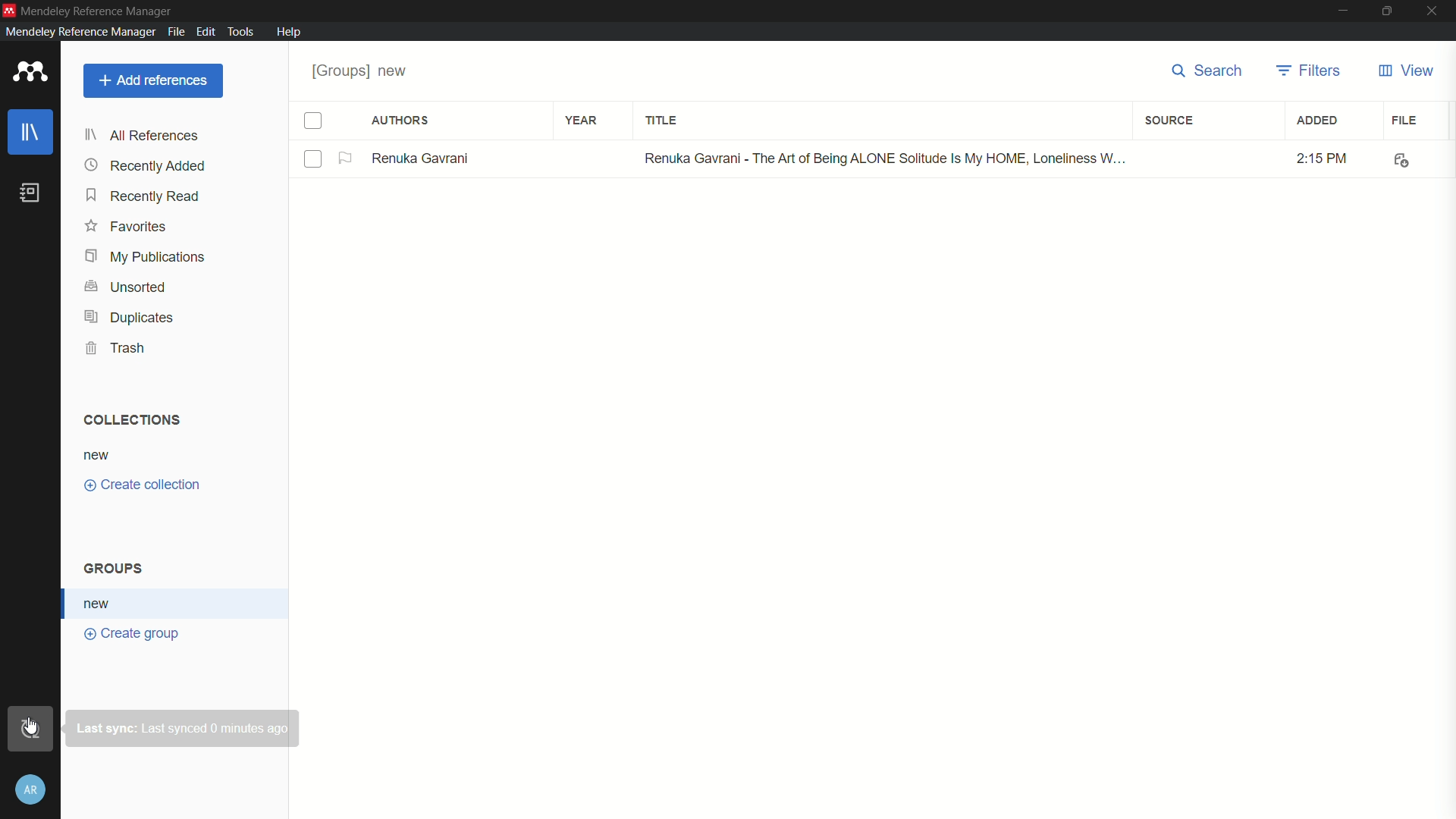 The width and height of the screenshot is (1456, 819). What do you see at coordinates (9, 8) in the screenshot?
I see `app icon` at bounding box center [9, 8].